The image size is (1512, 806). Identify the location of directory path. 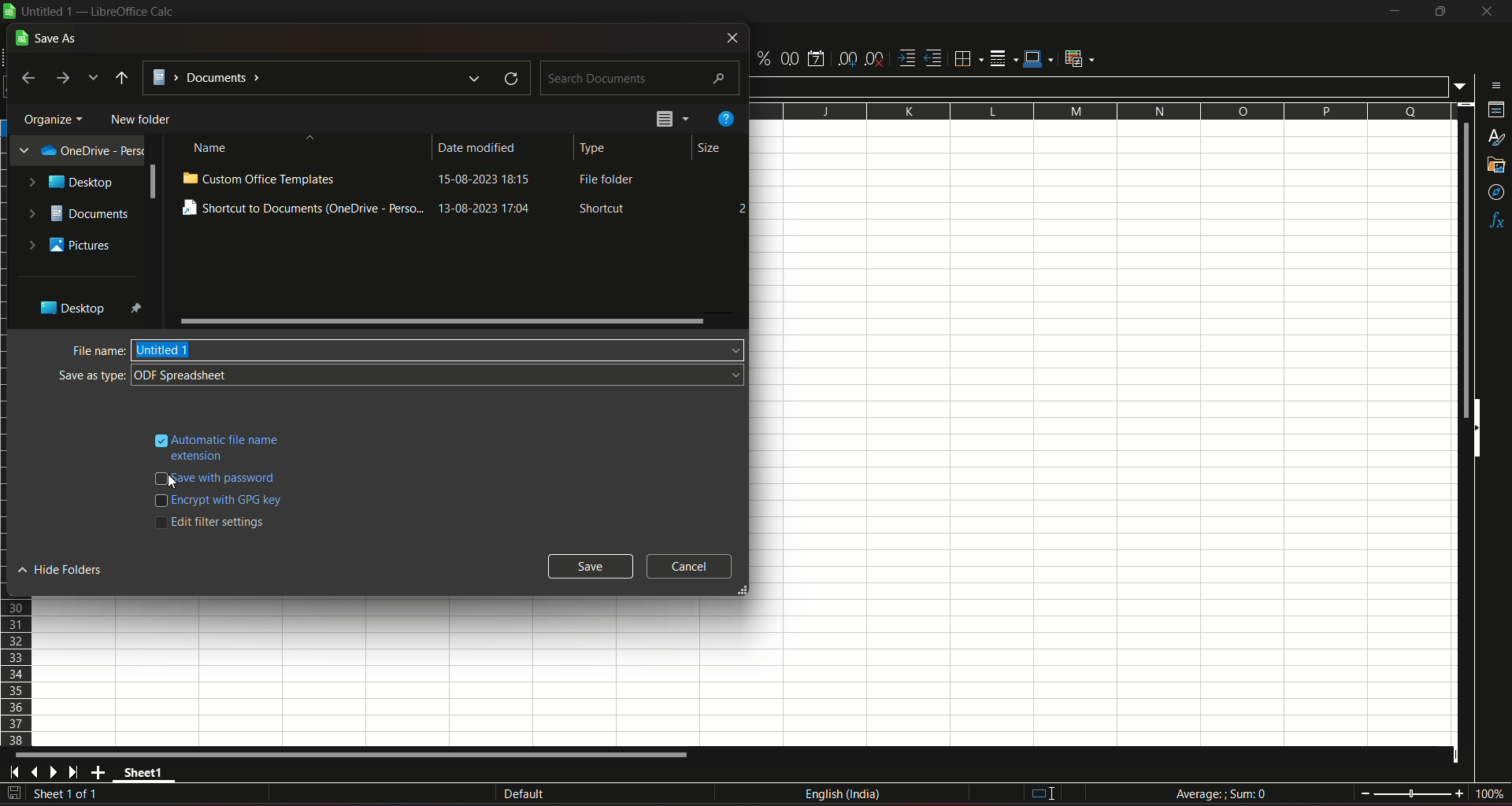
(122, 78).